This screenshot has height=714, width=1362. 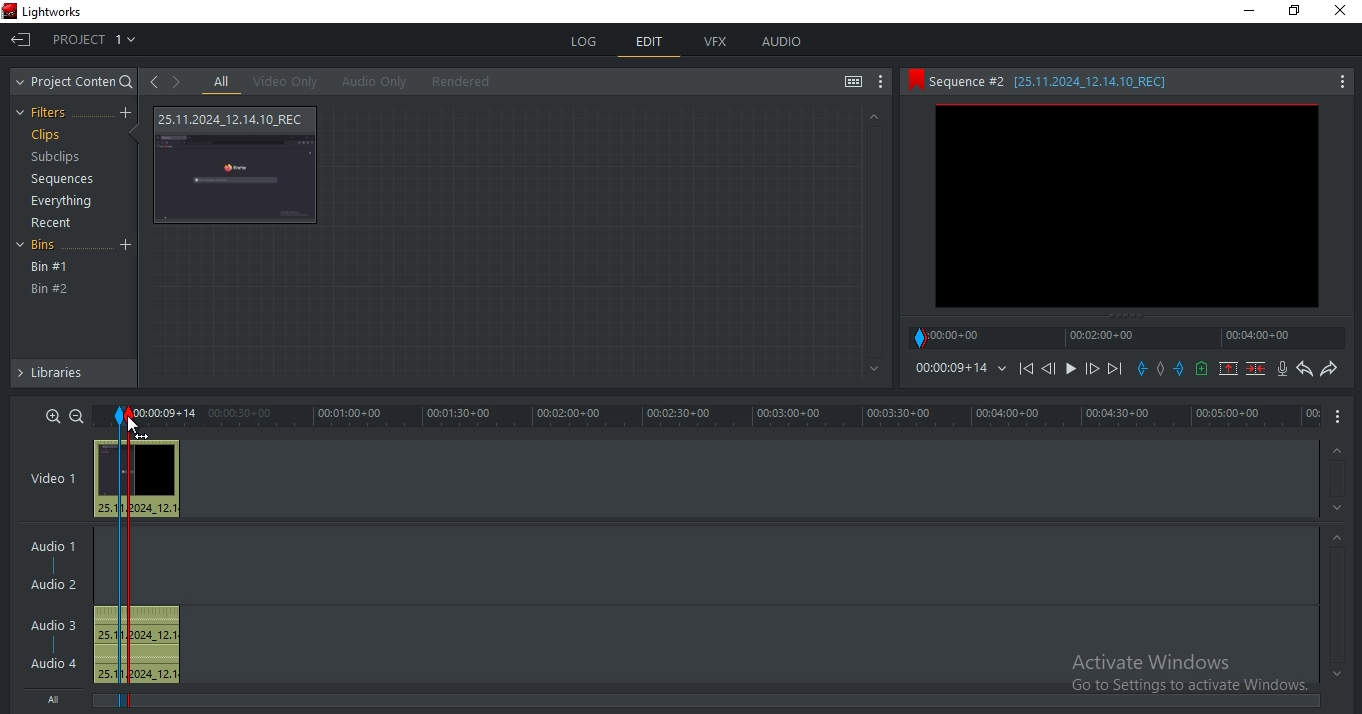 I want to click on edit, so click(x=649, y=43).